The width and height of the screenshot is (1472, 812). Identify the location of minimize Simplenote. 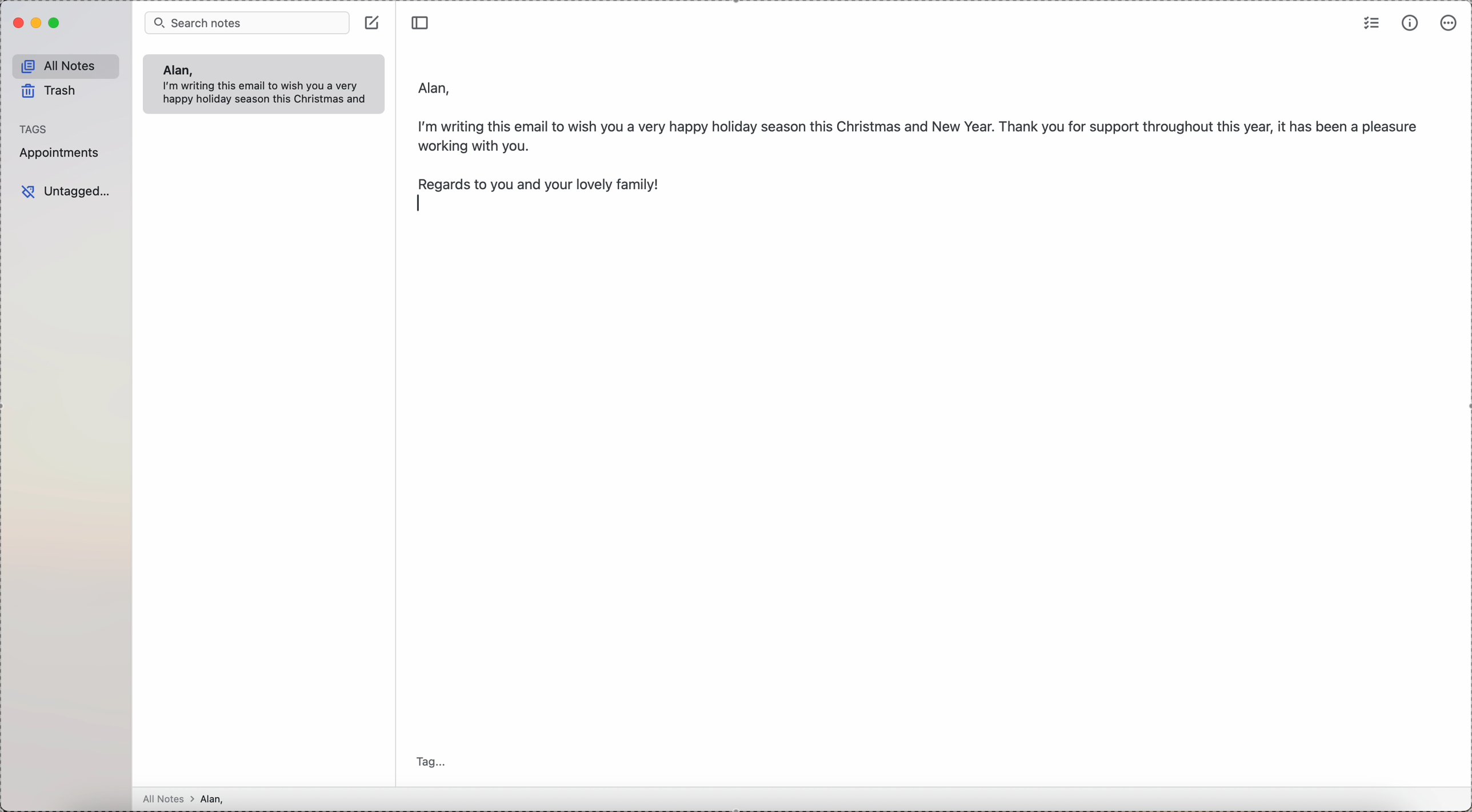
(38, 23).